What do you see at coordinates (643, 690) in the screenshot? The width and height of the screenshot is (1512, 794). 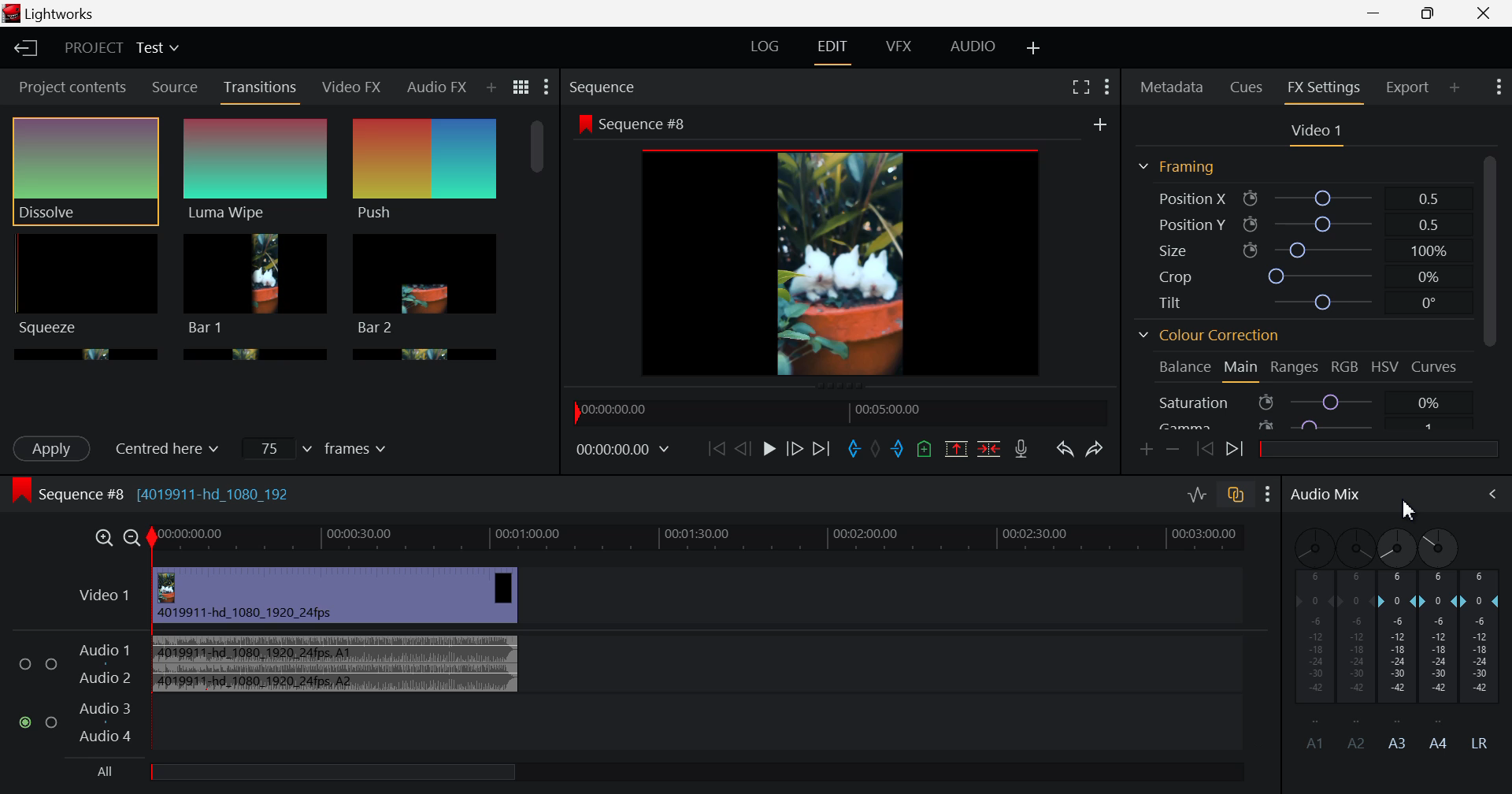 I see `Audio Input Field` at bounding box center [643, 690].